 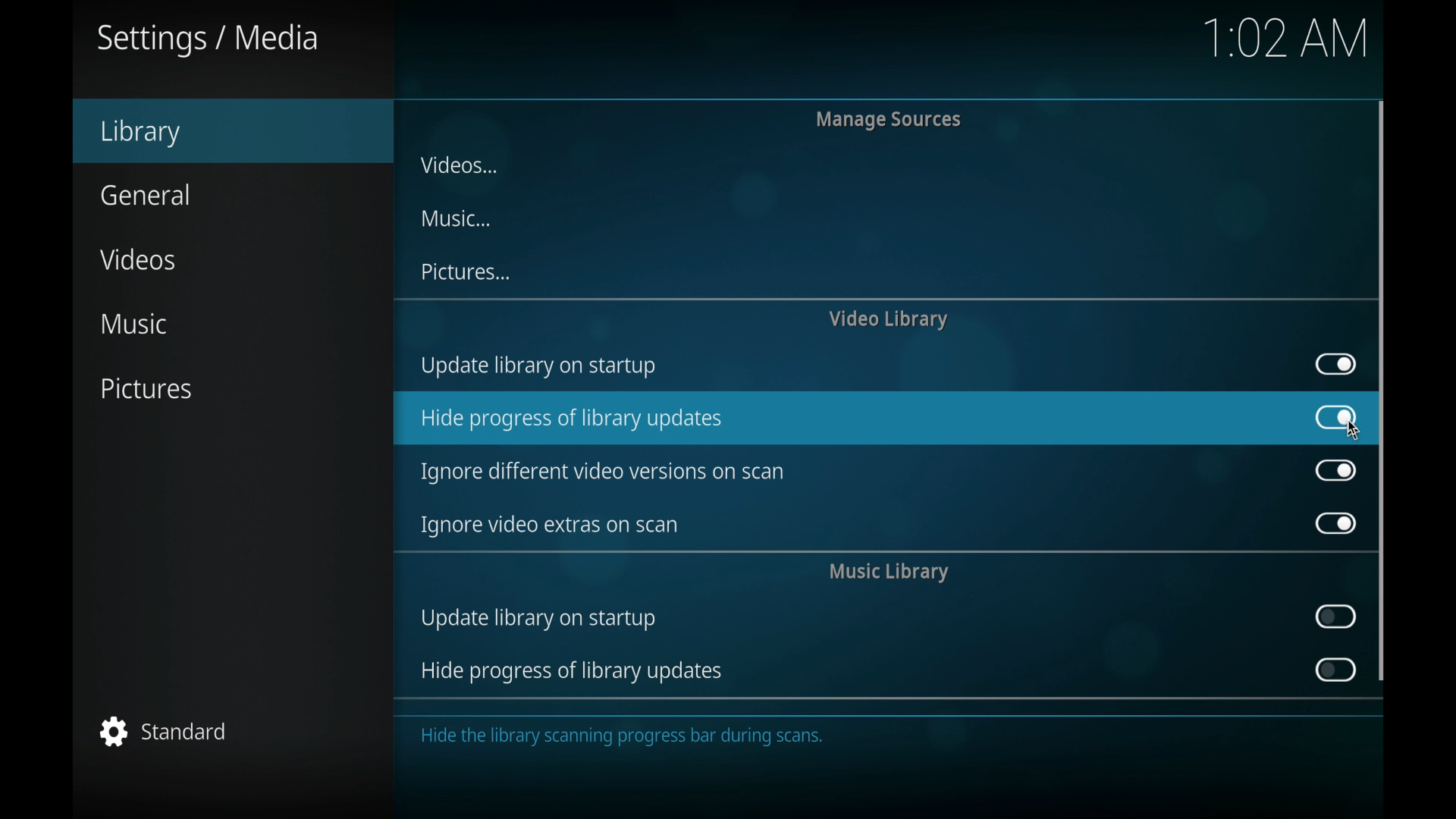 I want to click on ignore video extras on scan, so click(x=549, y=525).